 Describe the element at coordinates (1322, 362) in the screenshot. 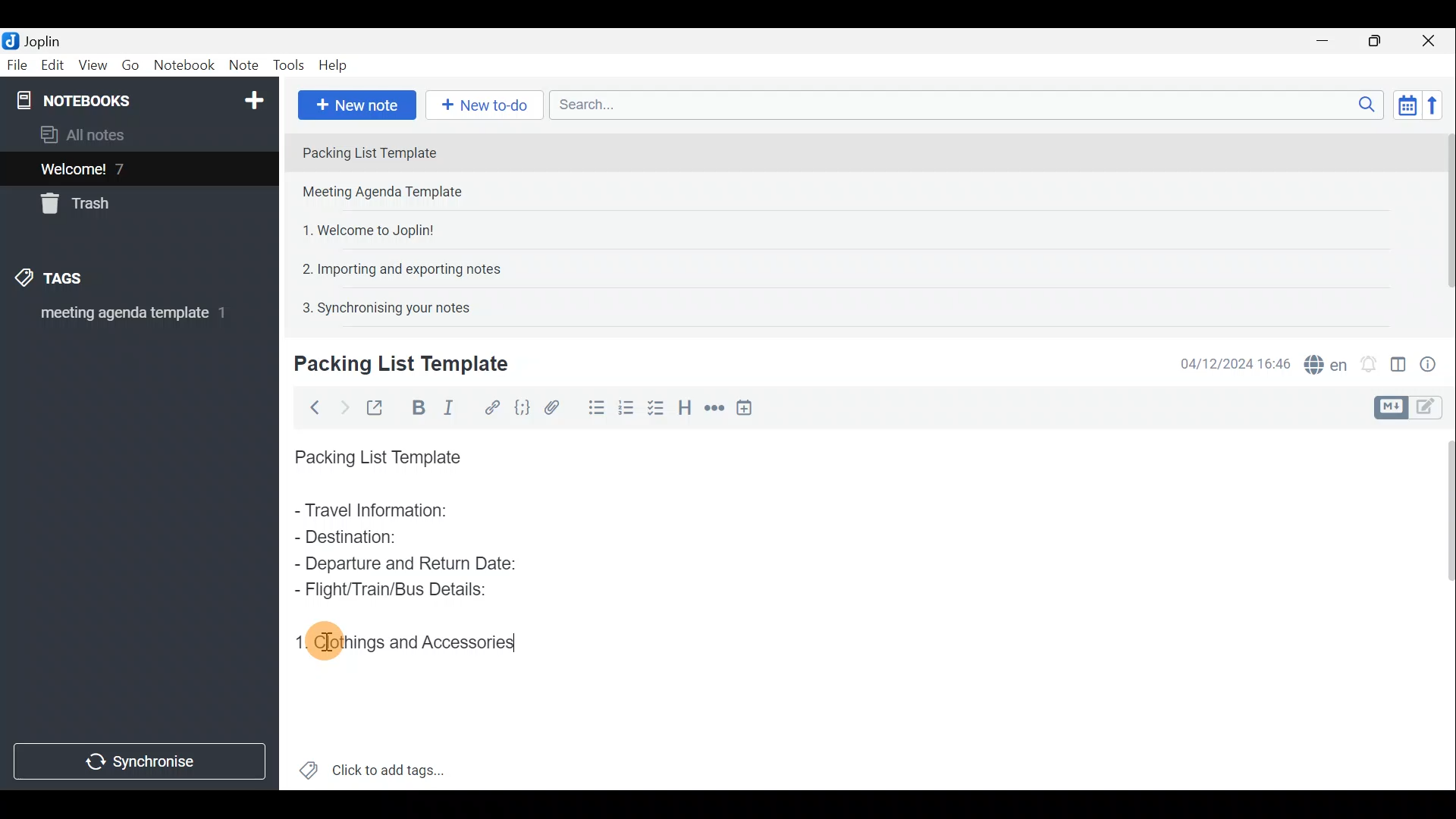

I see `Spell checker` at that location.